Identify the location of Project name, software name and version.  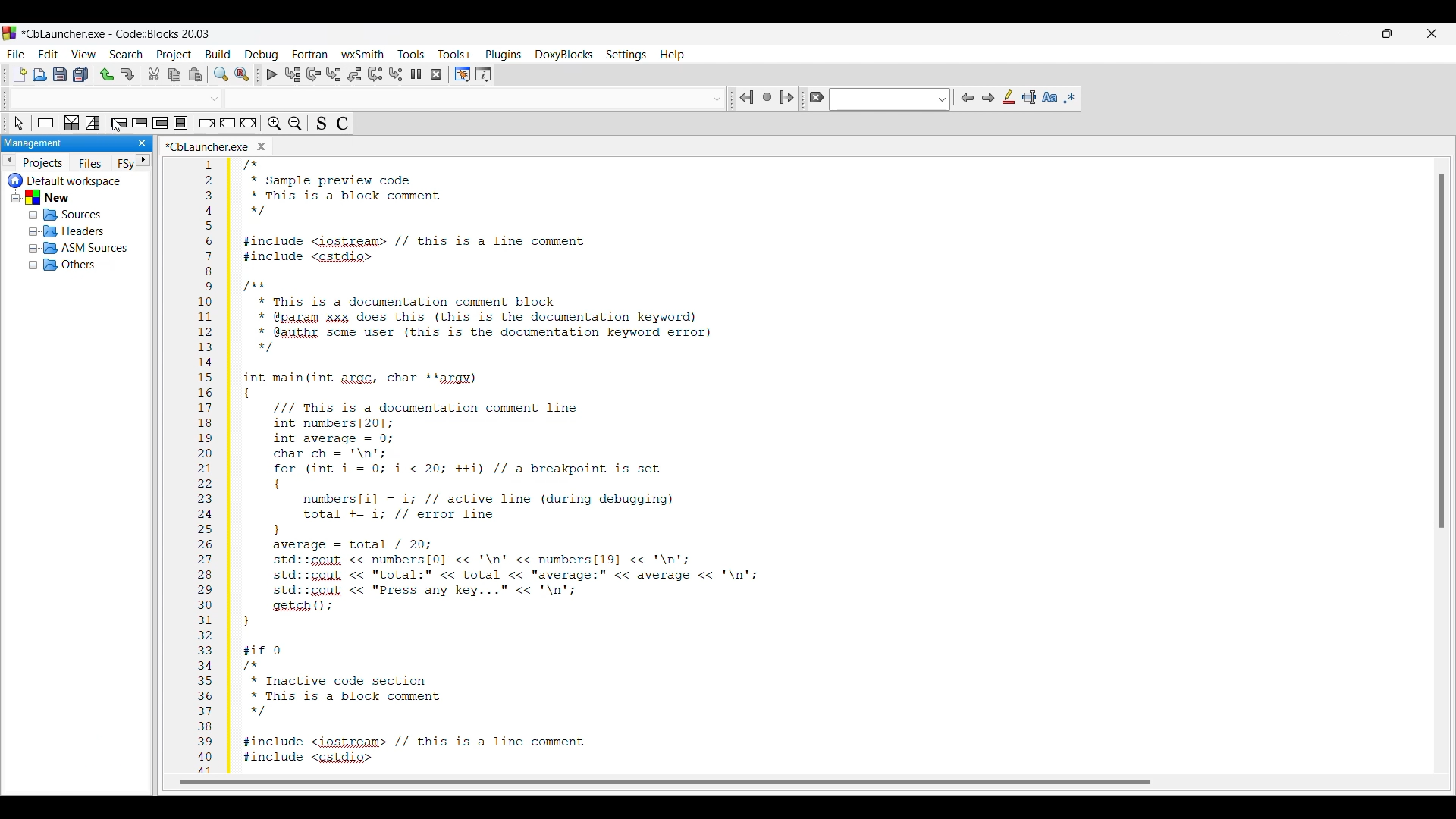
(117, 33).